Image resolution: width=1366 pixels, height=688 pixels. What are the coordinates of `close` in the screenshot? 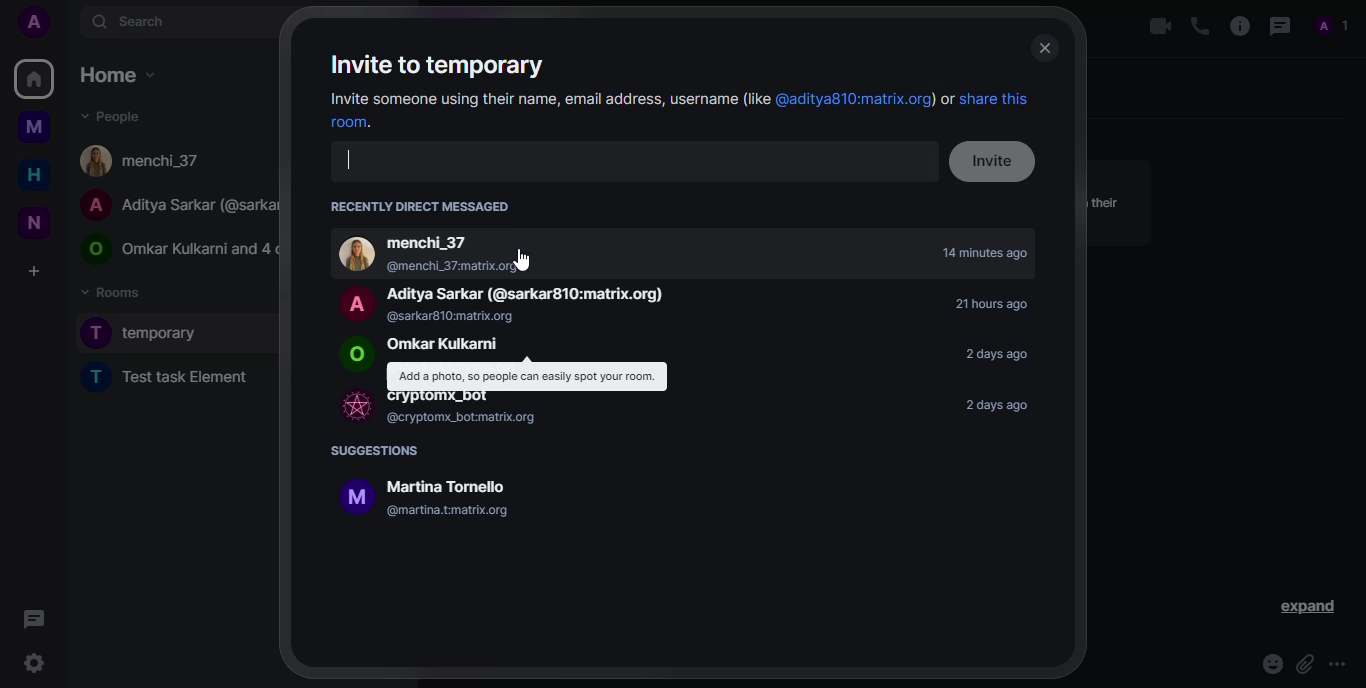 It's located at (1044, 46).